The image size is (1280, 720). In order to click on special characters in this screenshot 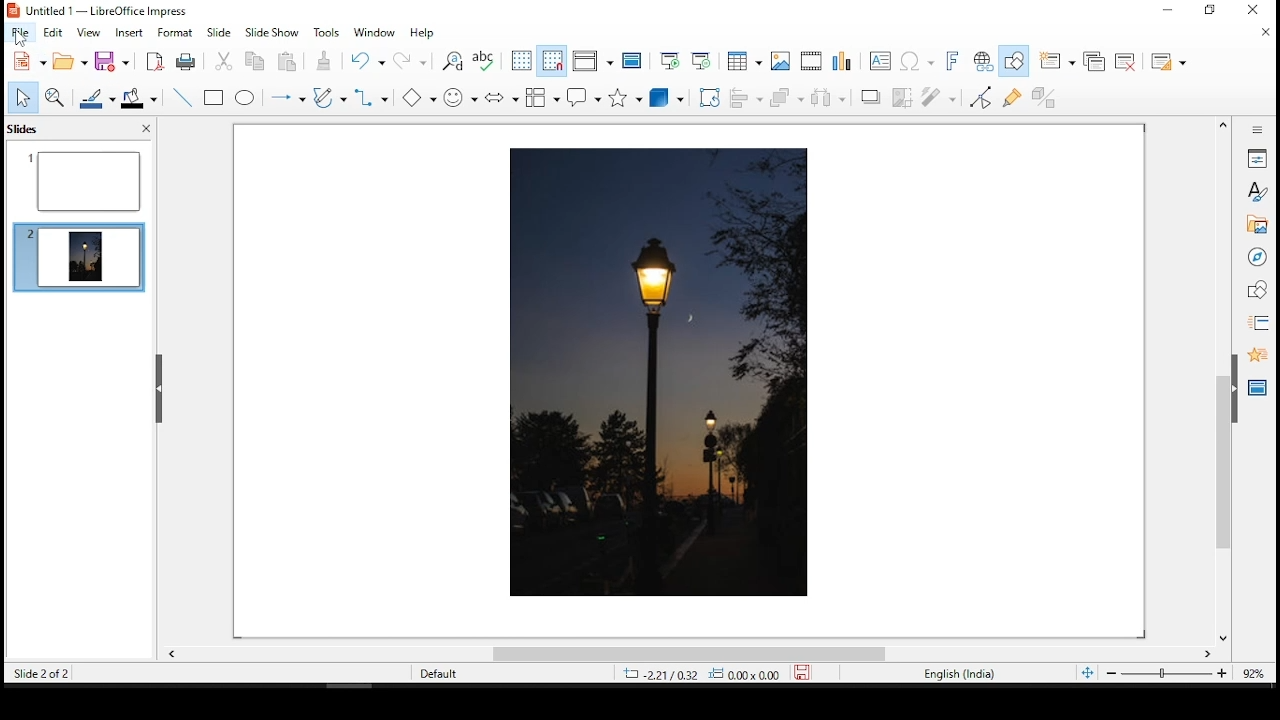, I will do `click(916, 61)`.